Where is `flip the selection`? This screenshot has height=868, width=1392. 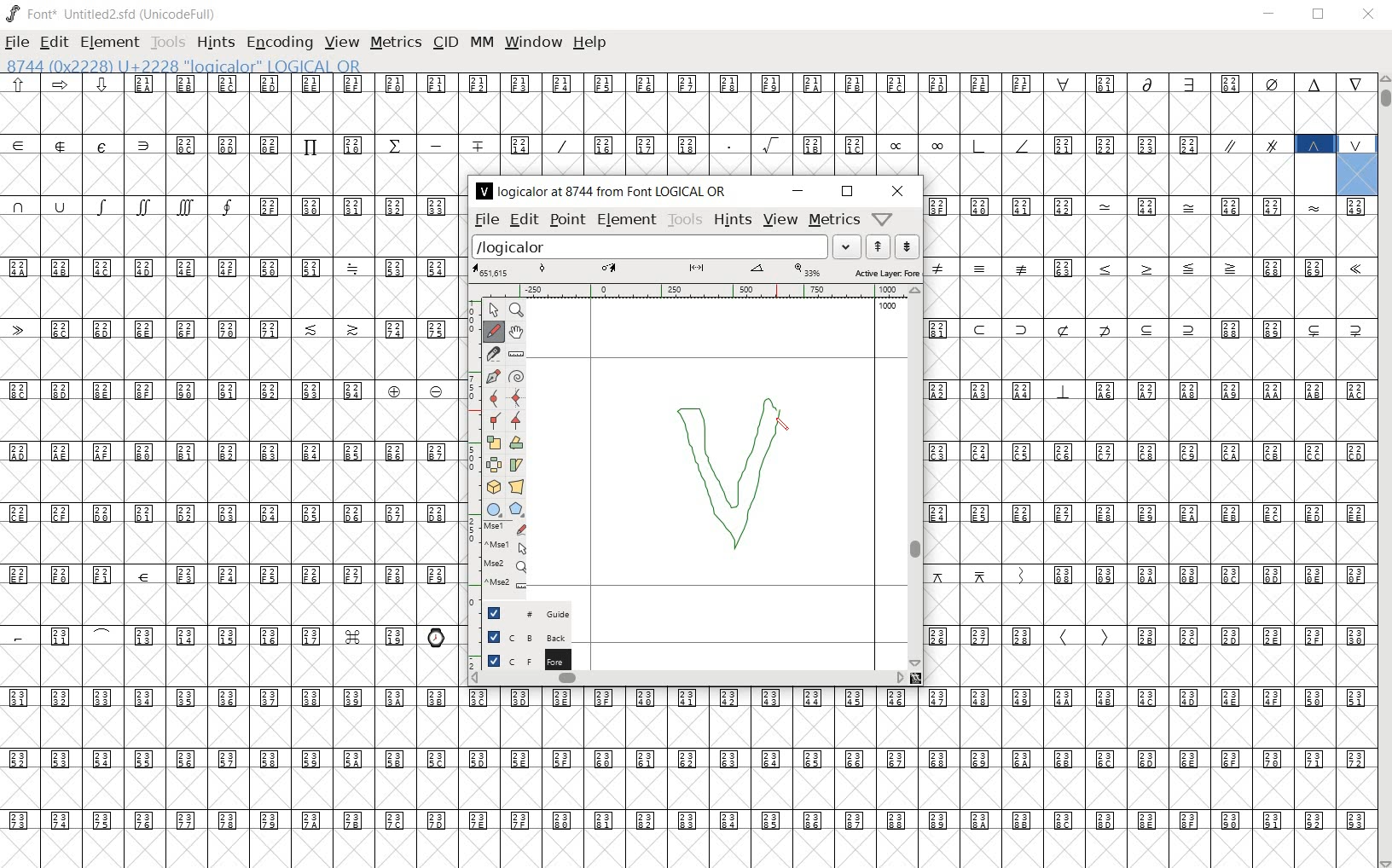
flip the selection is located at coordinates (518, 443).